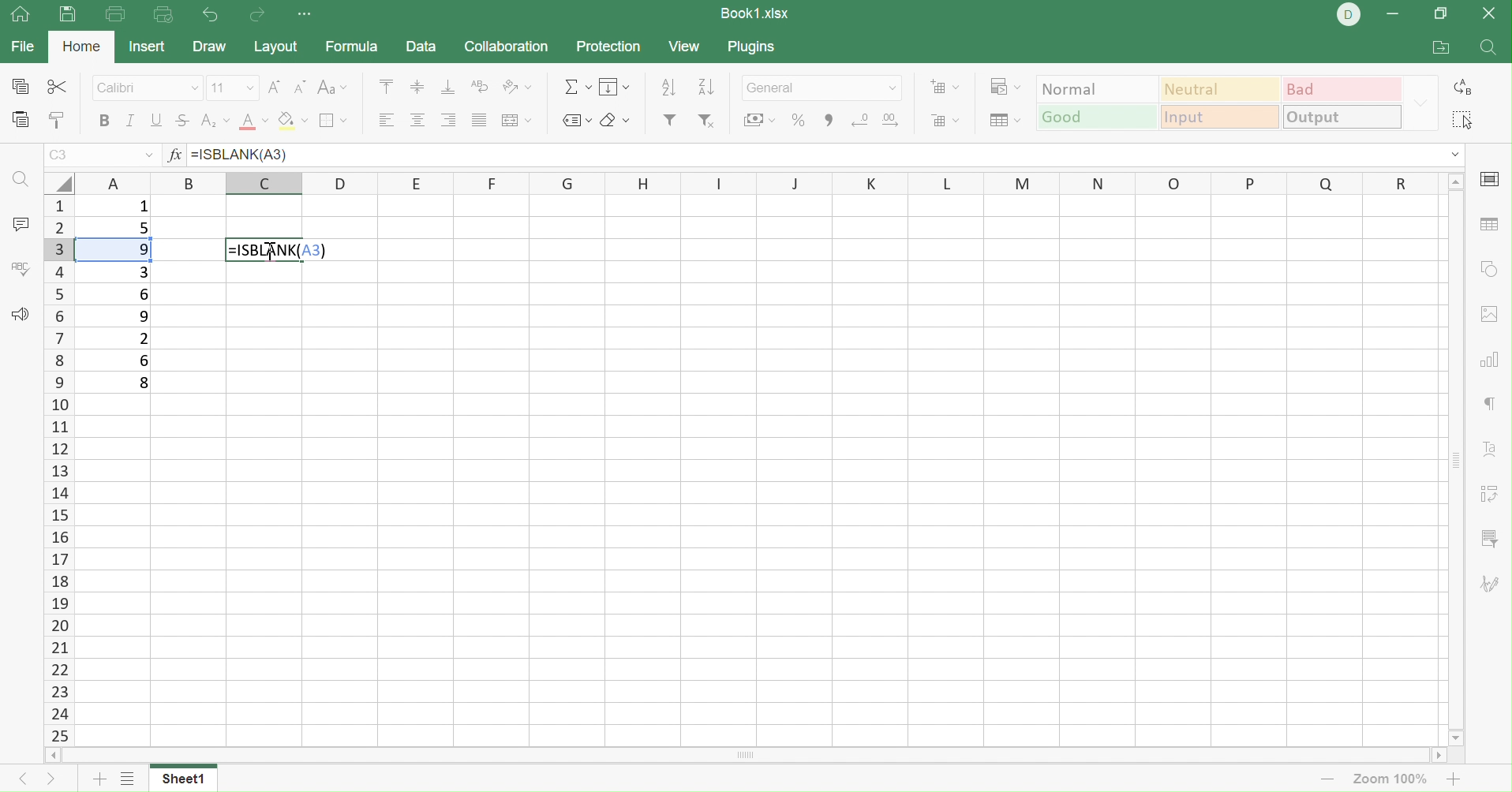 This screenshot has width=1512, height=792. I want to click on Bad, so click(1344, 88).